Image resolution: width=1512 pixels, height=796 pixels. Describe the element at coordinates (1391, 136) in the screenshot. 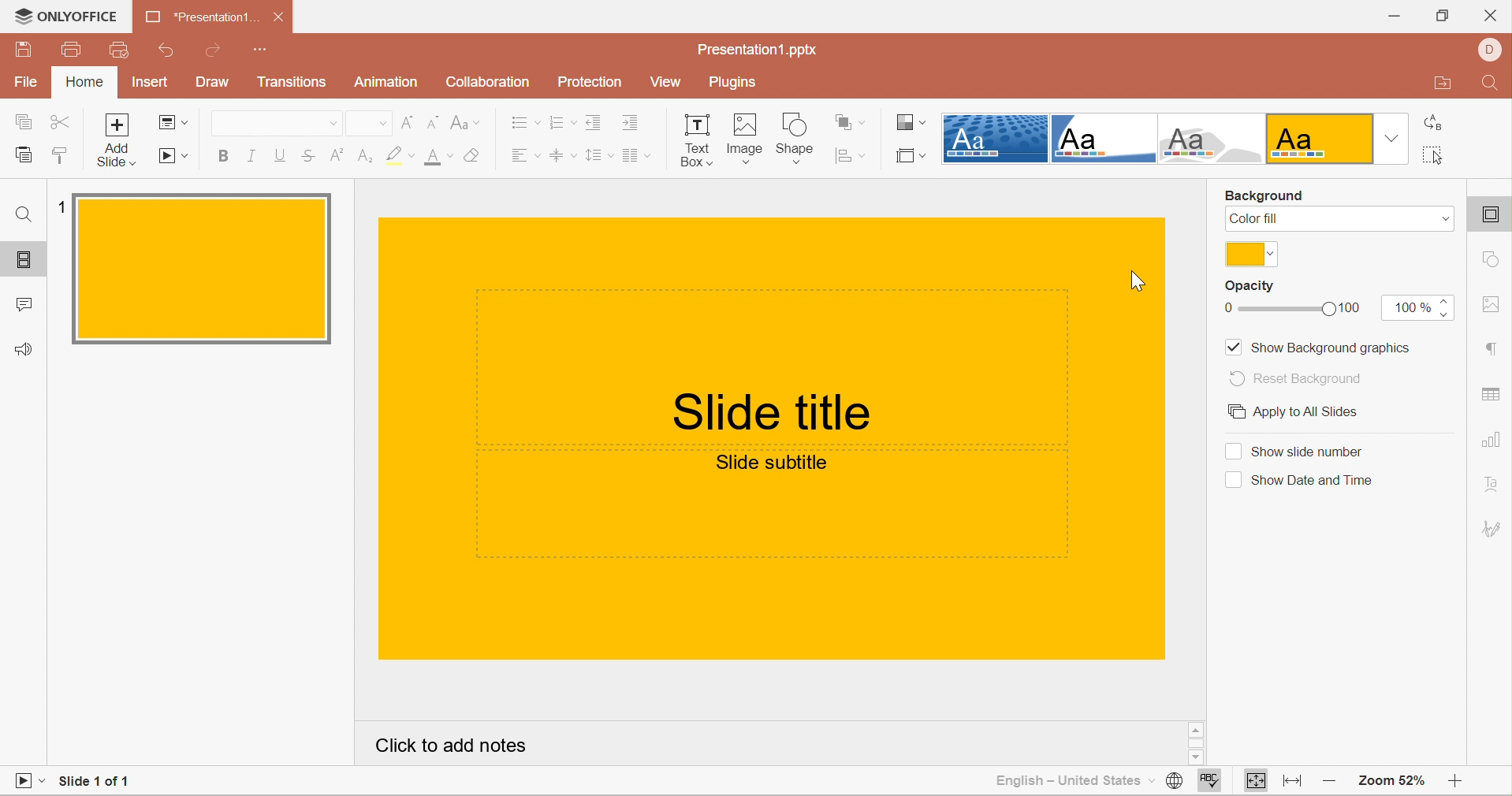

I see `Drop Down` at that location.